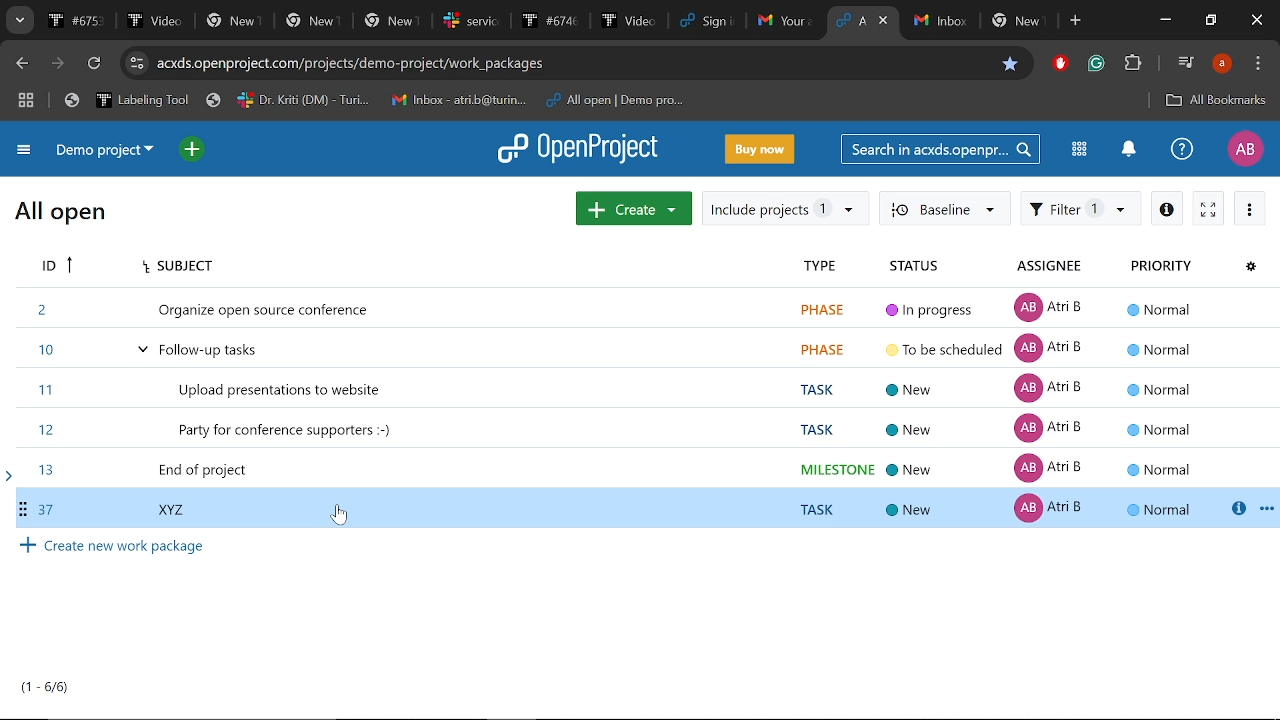 The height and width of the screenshot is (720, 1280). What do you see at coordinates (19, 64) in the screenshot?
I see `Previous page` at bounding box center [19, 64].